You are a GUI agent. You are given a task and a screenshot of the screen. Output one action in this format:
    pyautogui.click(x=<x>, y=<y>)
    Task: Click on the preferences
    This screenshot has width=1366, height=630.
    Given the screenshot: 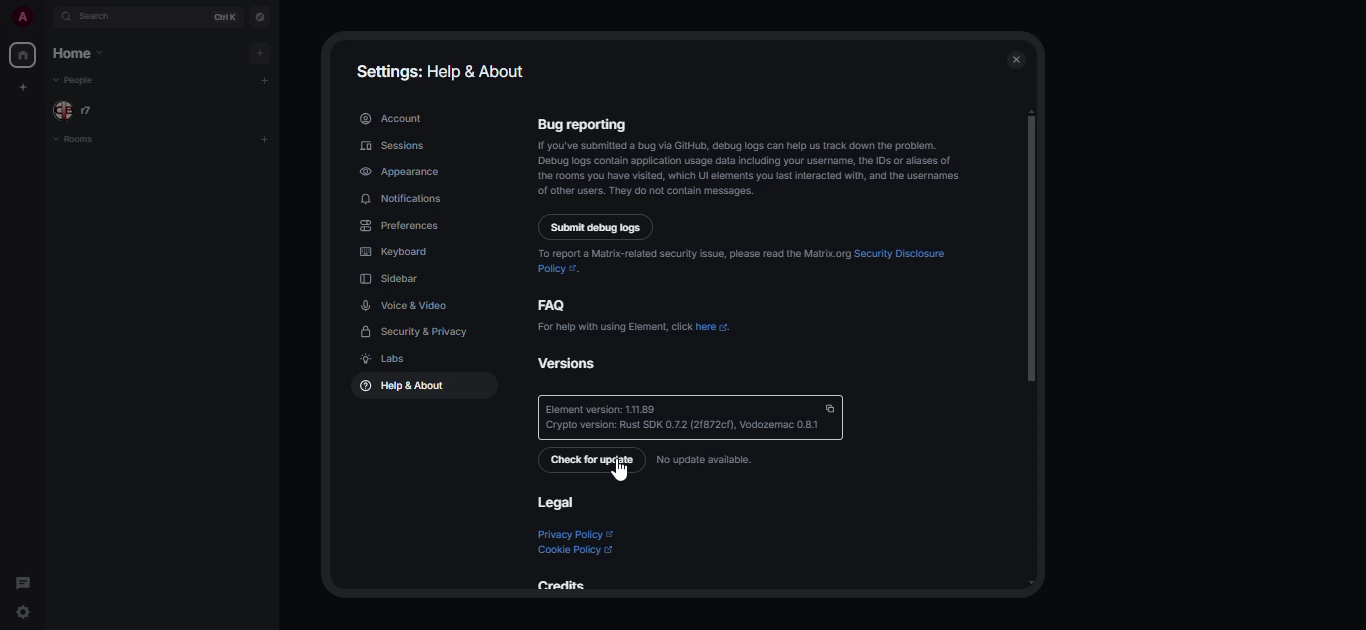 What is the action you would take?
    pyautogui.click(x=398, y=226)
    